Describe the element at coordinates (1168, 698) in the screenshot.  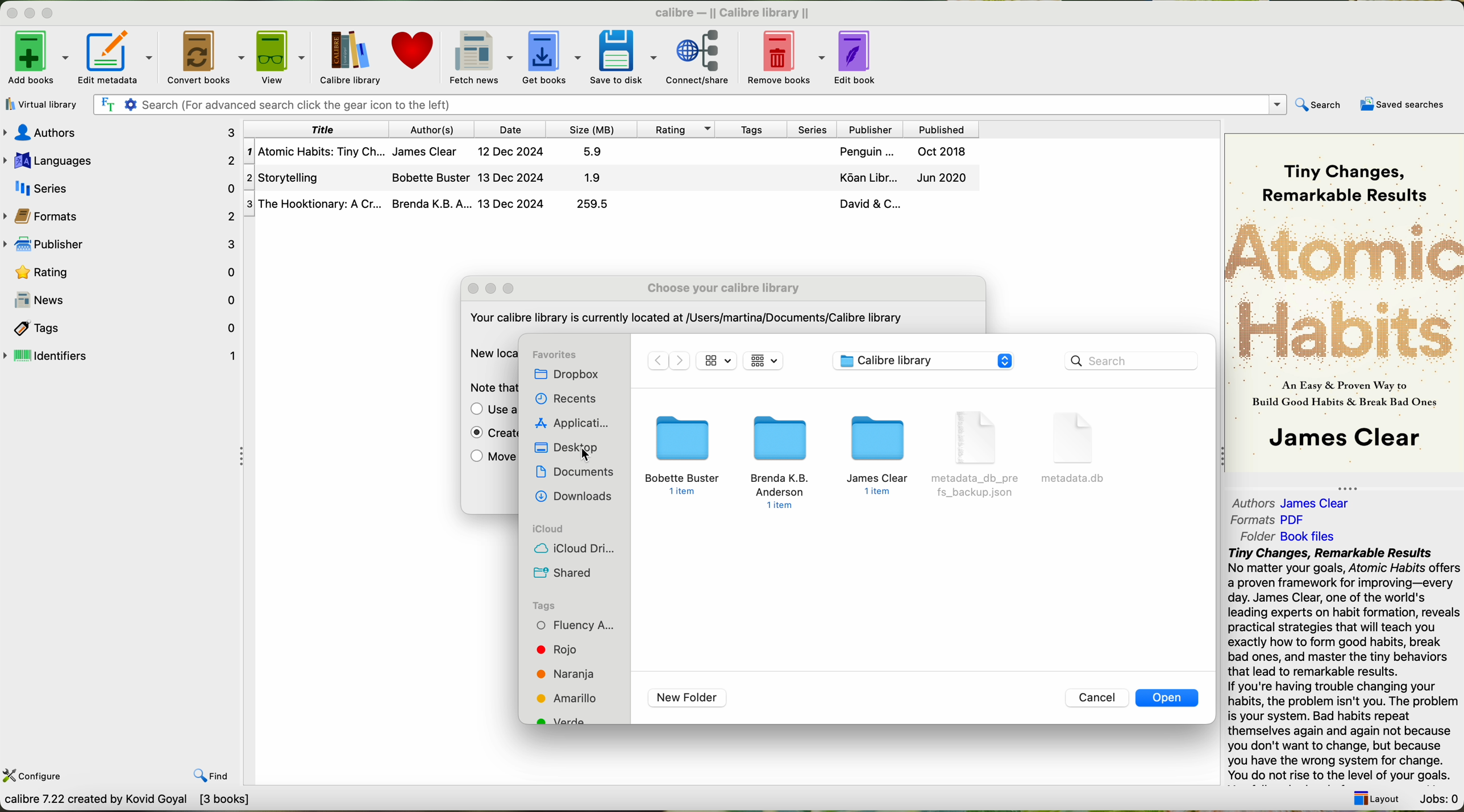
I see `open button` at that location.